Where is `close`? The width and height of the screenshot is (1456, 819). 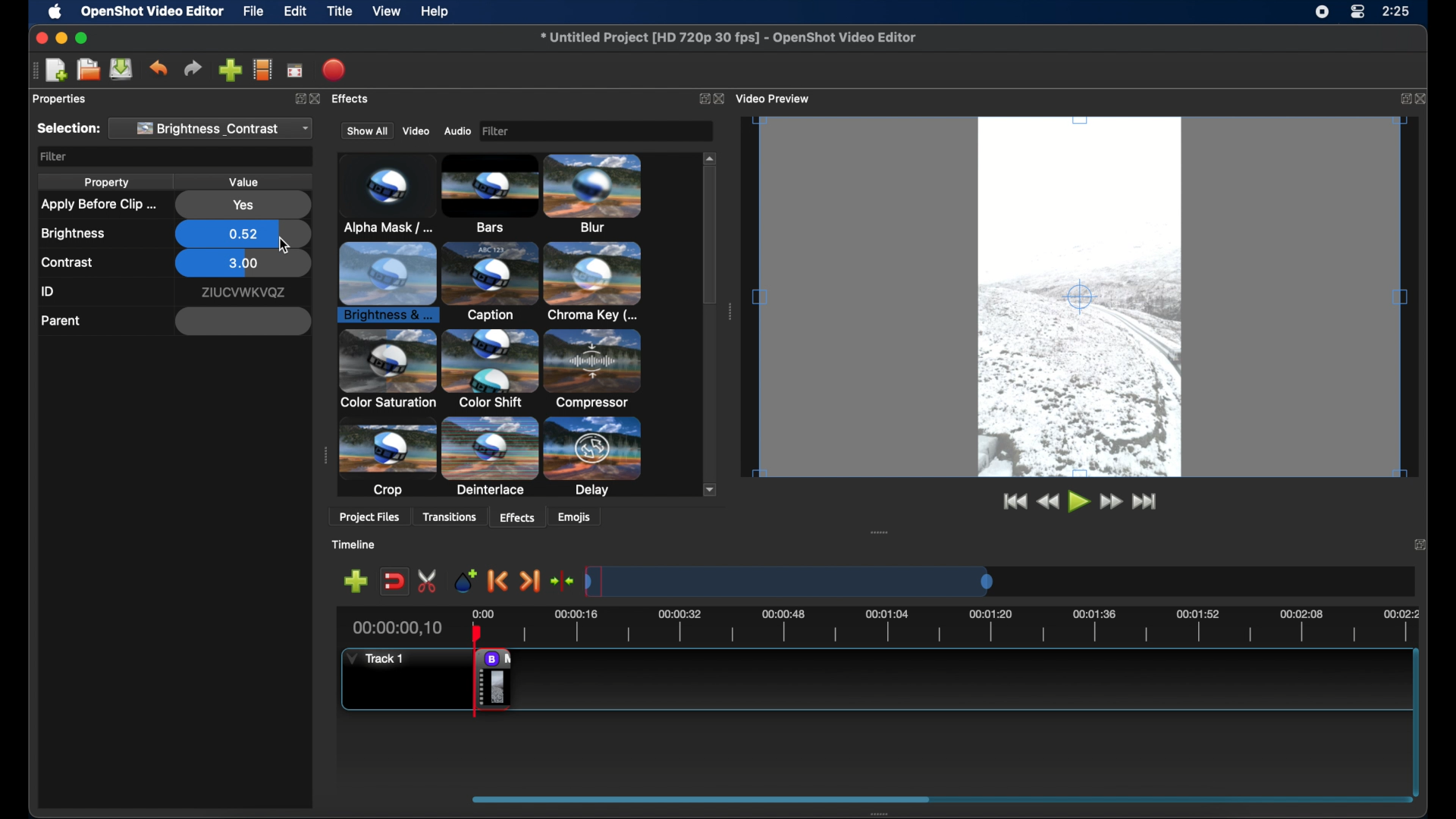 close is located at coordinates (1423, 98).